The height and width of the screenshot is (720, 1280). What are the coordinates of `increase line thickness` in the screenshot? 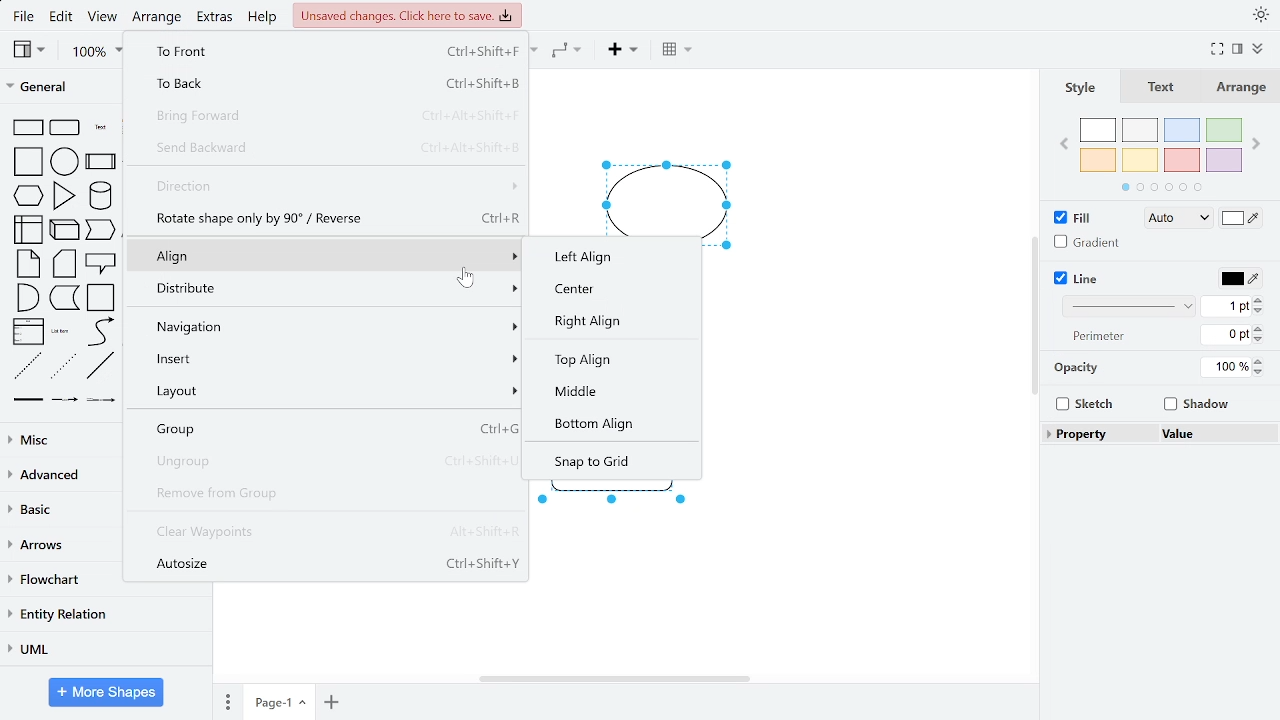 It's located at (1261, 299).